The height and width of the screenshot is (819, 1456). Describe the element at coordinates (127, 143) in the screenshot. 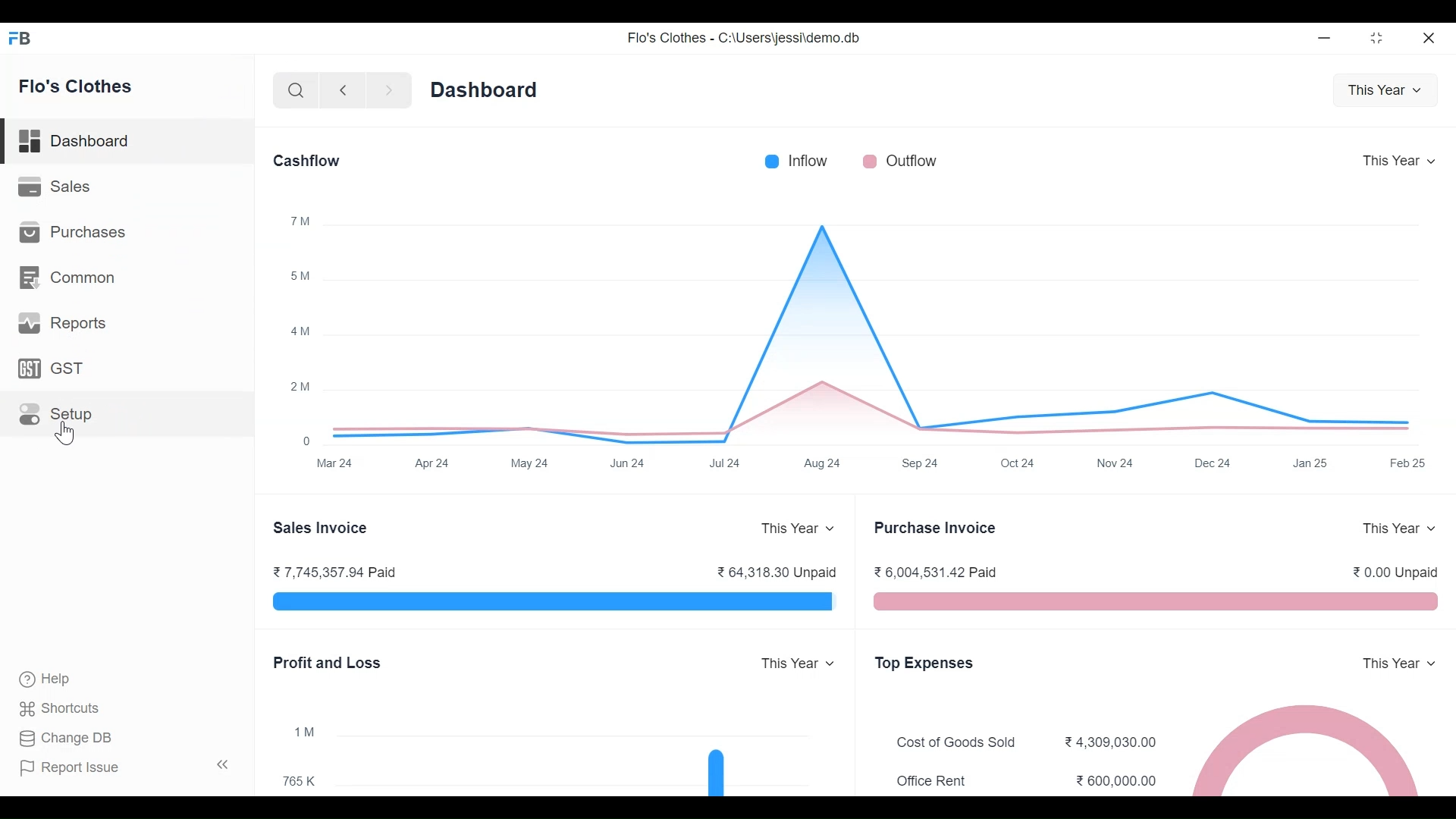

I see `Dashboard` at that location.